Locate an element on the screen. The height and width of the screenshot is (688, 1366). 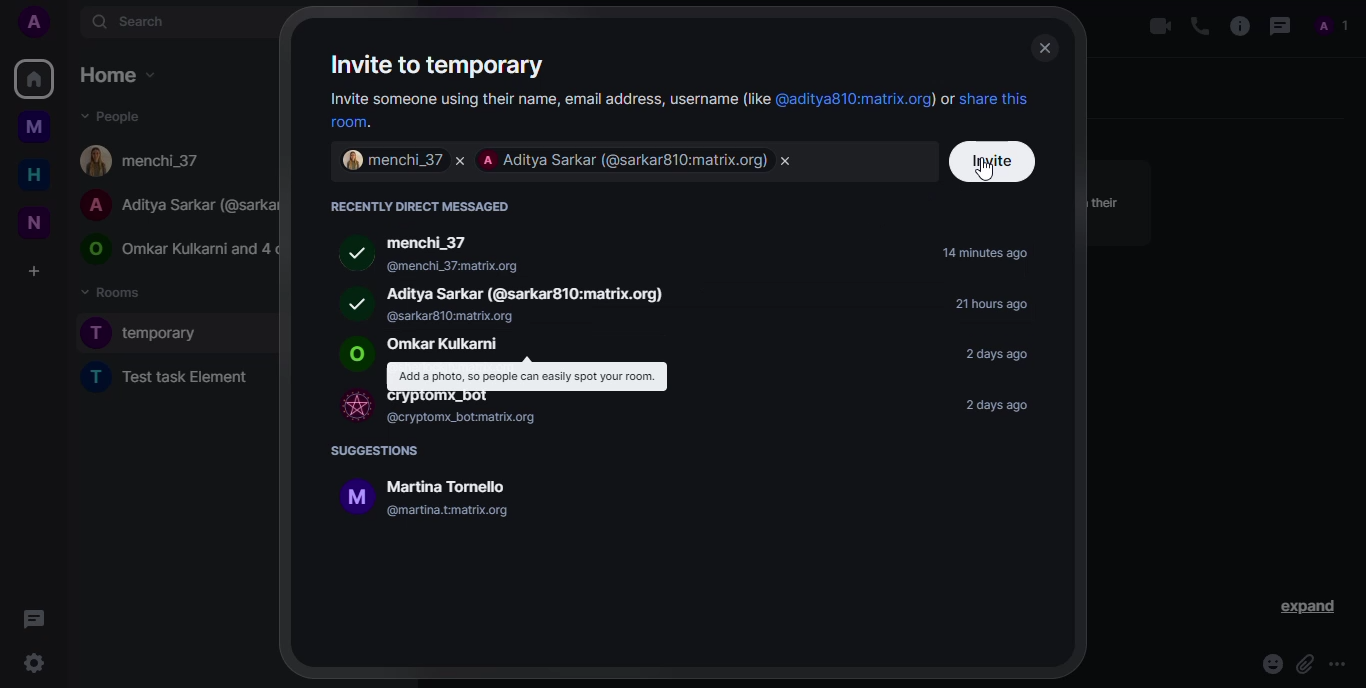
‘menchi_37 is located at coordinates (431, 244).